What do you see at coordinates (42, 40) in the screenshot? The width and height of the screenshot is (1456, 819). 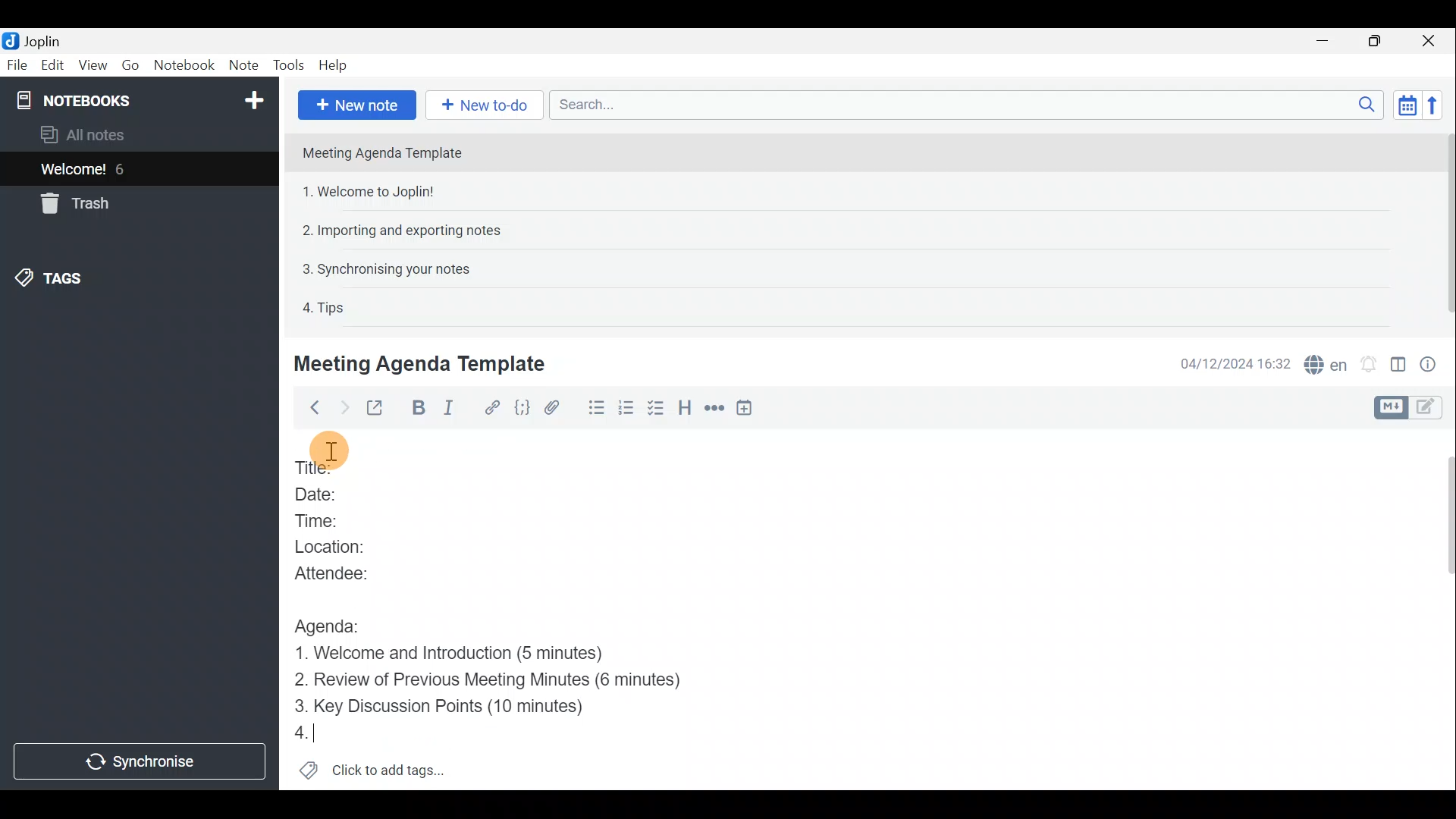 I see `Joplin` at bounding box center [42, 40].